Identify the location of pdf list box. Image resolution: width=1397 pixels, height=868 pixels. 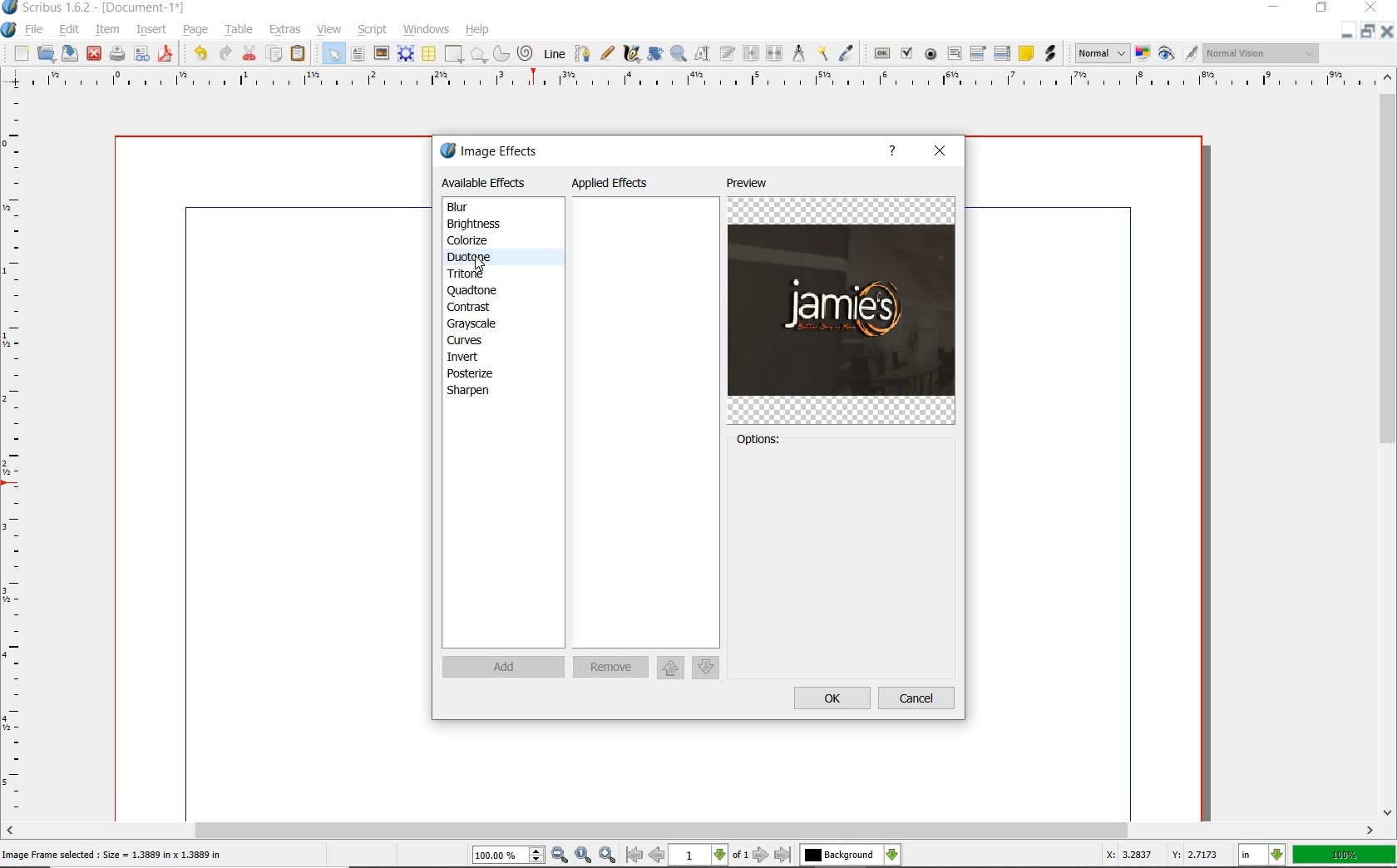
(1003, 54).